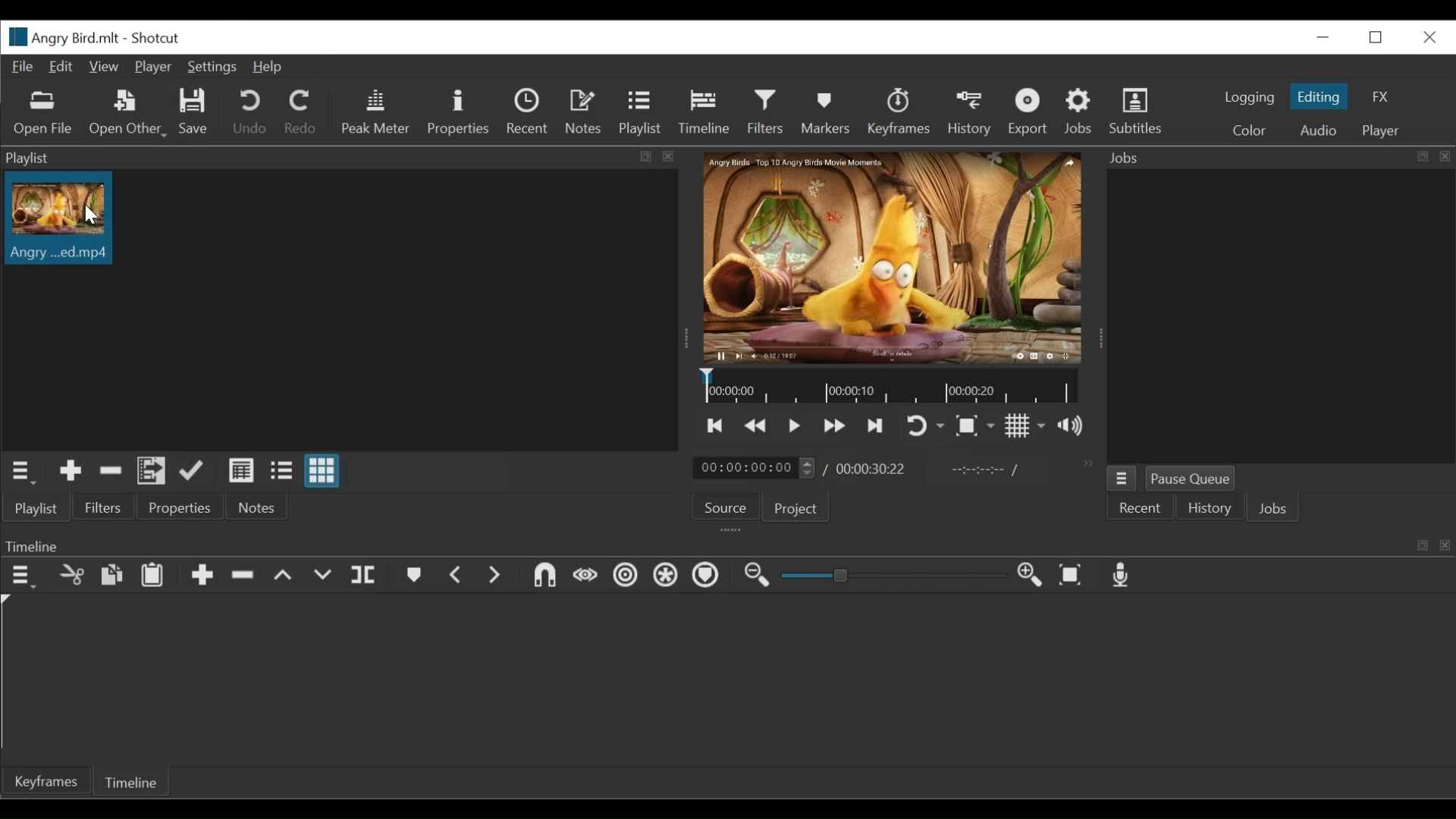 The image size is (1456, 819). I want to click on lift, so click(285, 577).